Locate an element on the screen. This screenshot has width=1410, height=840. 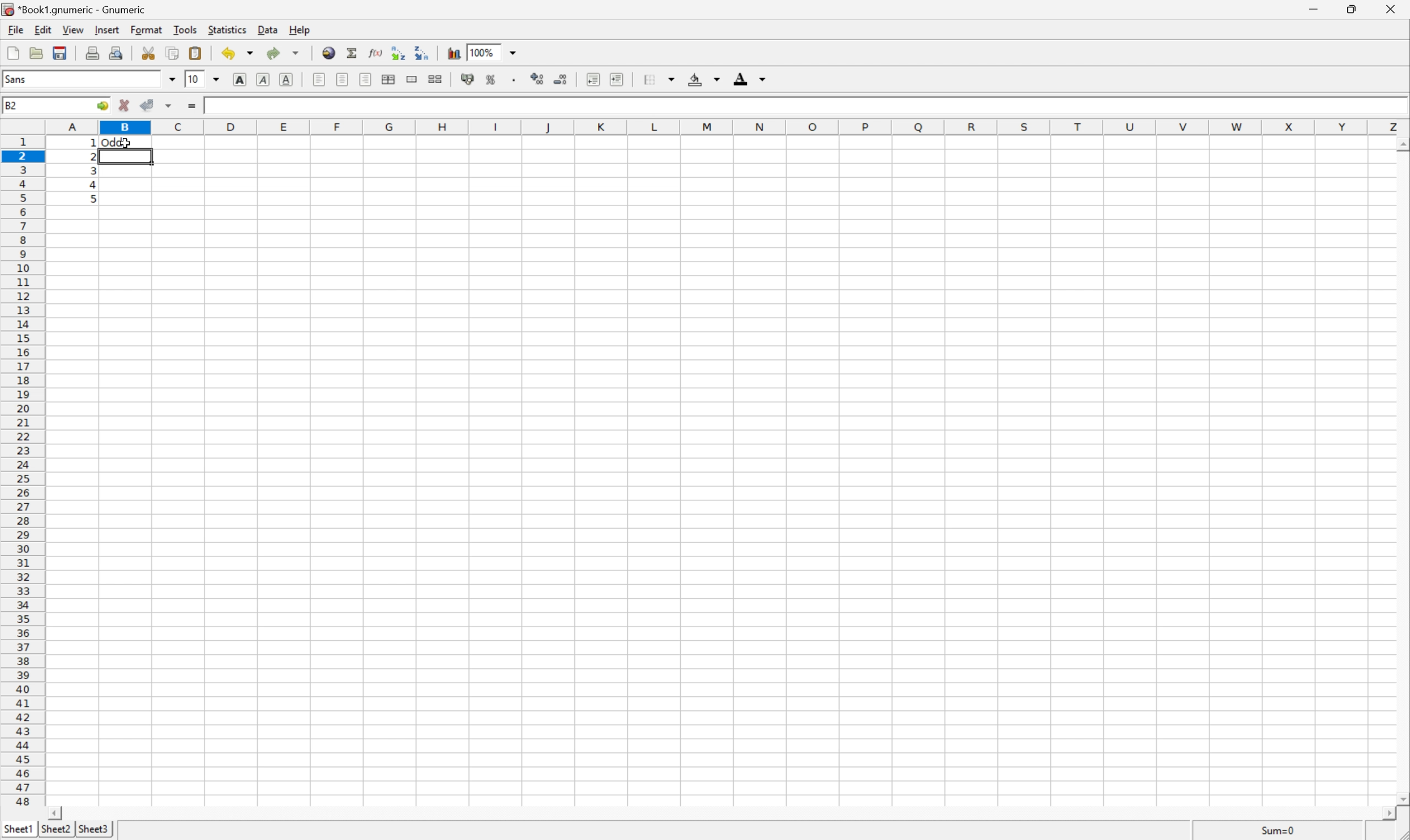
 is located at coordinates (169, 106).